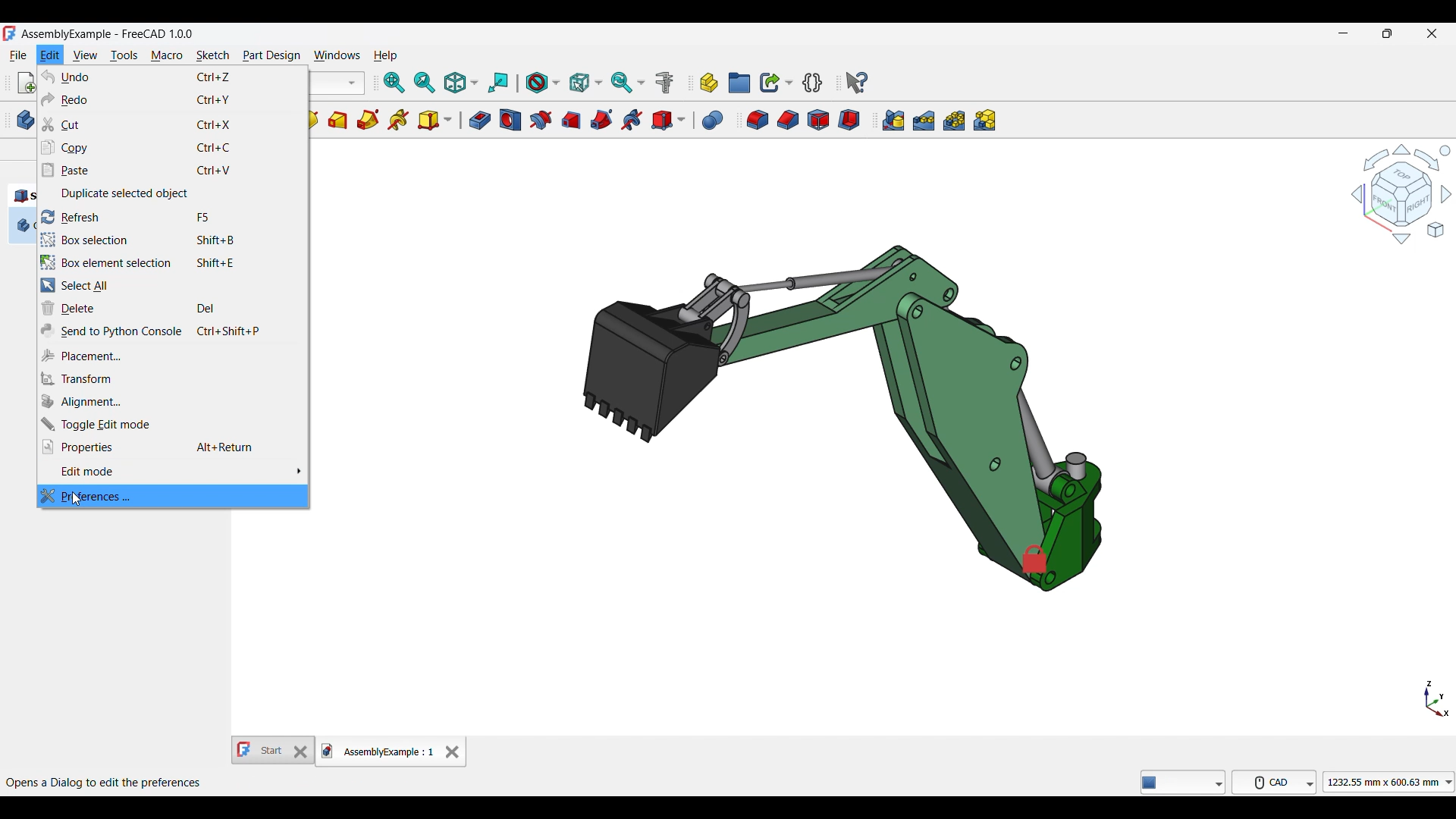  Describe the element at coordinates (1343, 33) in the screenshot. I see `Minimize` at that location.